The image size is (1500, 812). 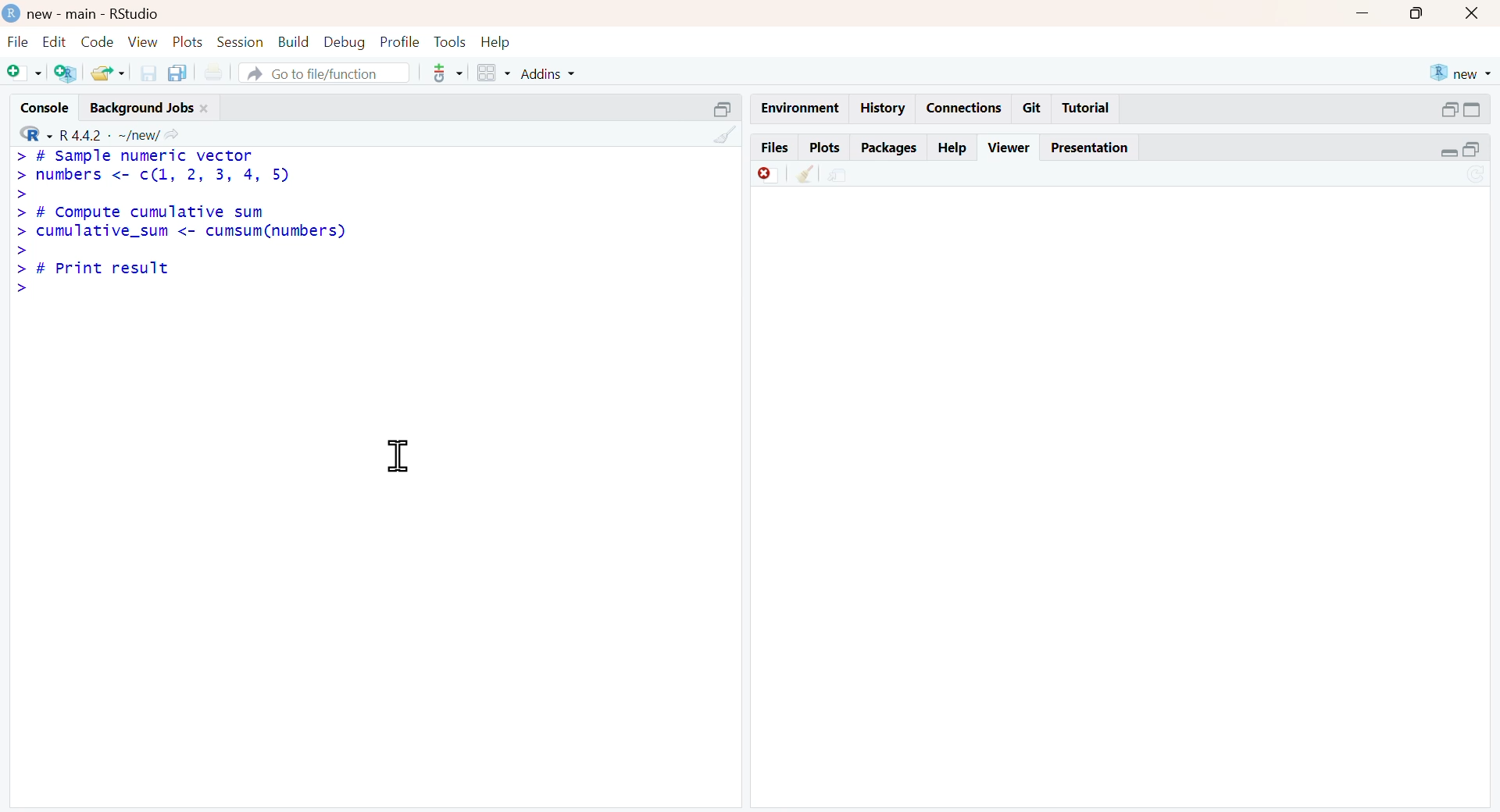 What do you see at coordinates (47, 107) in the screenshot?
I see `console` at bounding box center [47, 107].